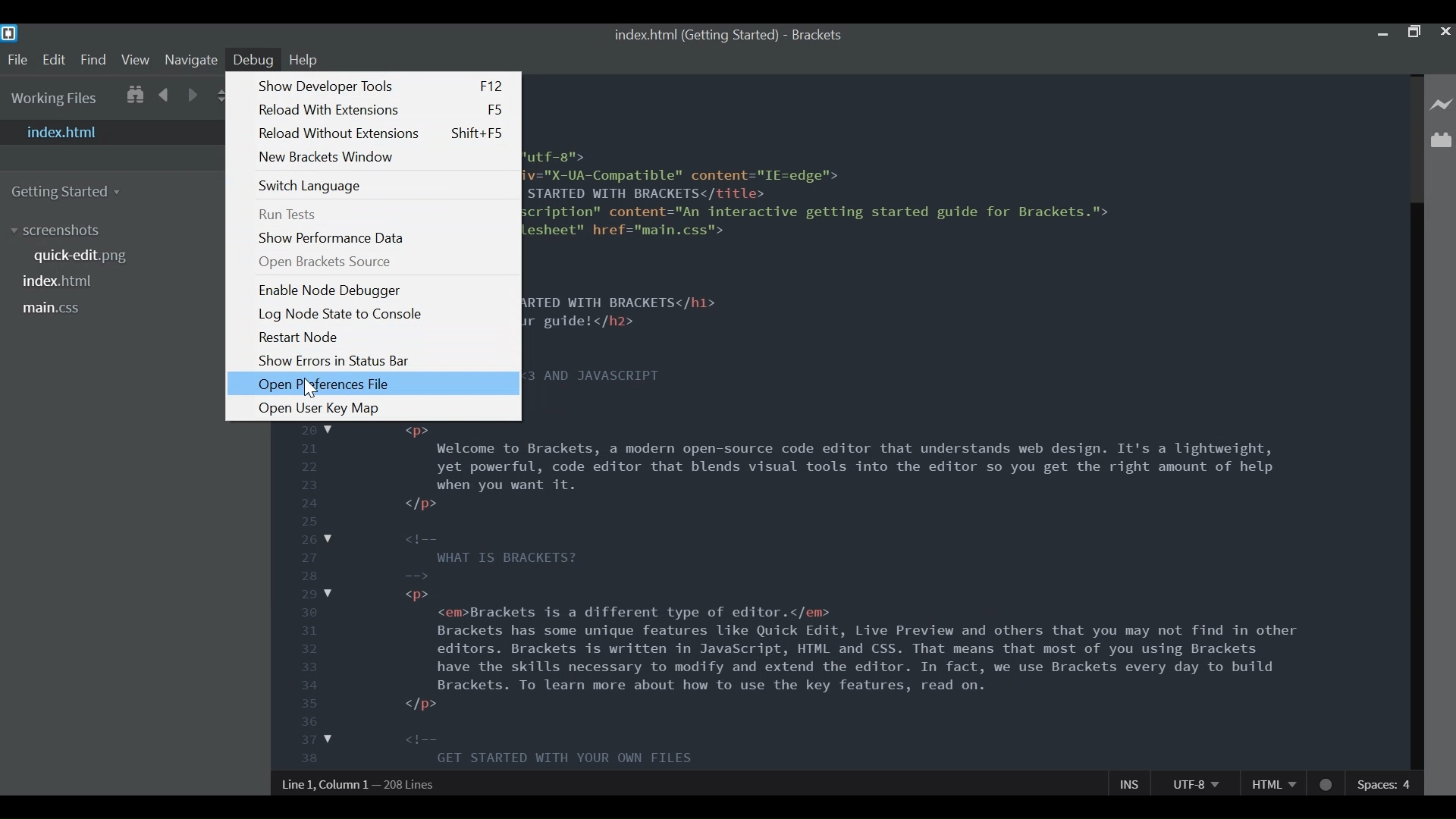 The width and height of the screenshot is (1456, 819). I want to click on Switch Language, so click(311, 187).